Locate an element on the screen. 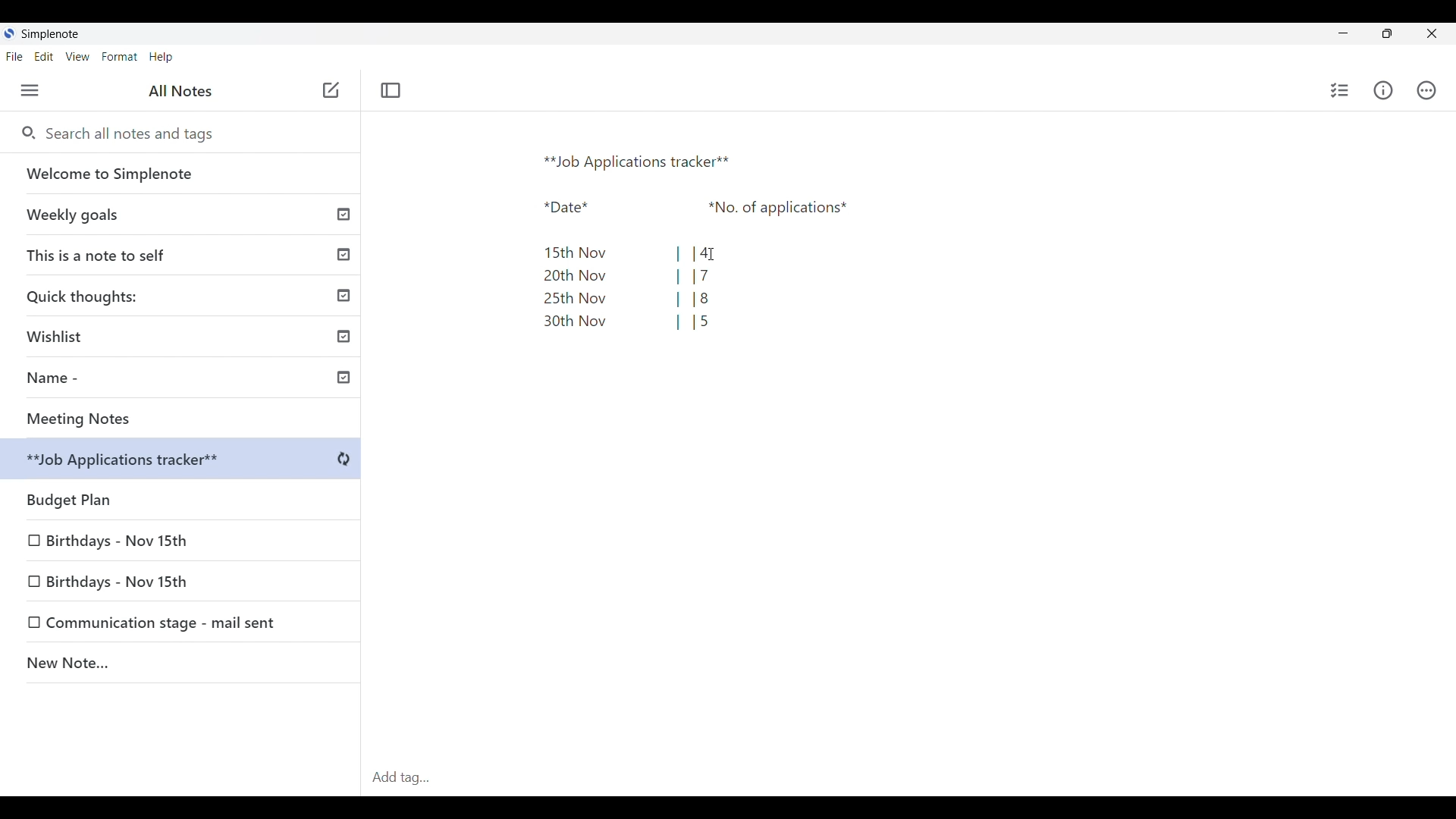 Image resolution: width=1456 pixels, height=819 pixels. Search all notes and tags is located at coordinates (135, 133).